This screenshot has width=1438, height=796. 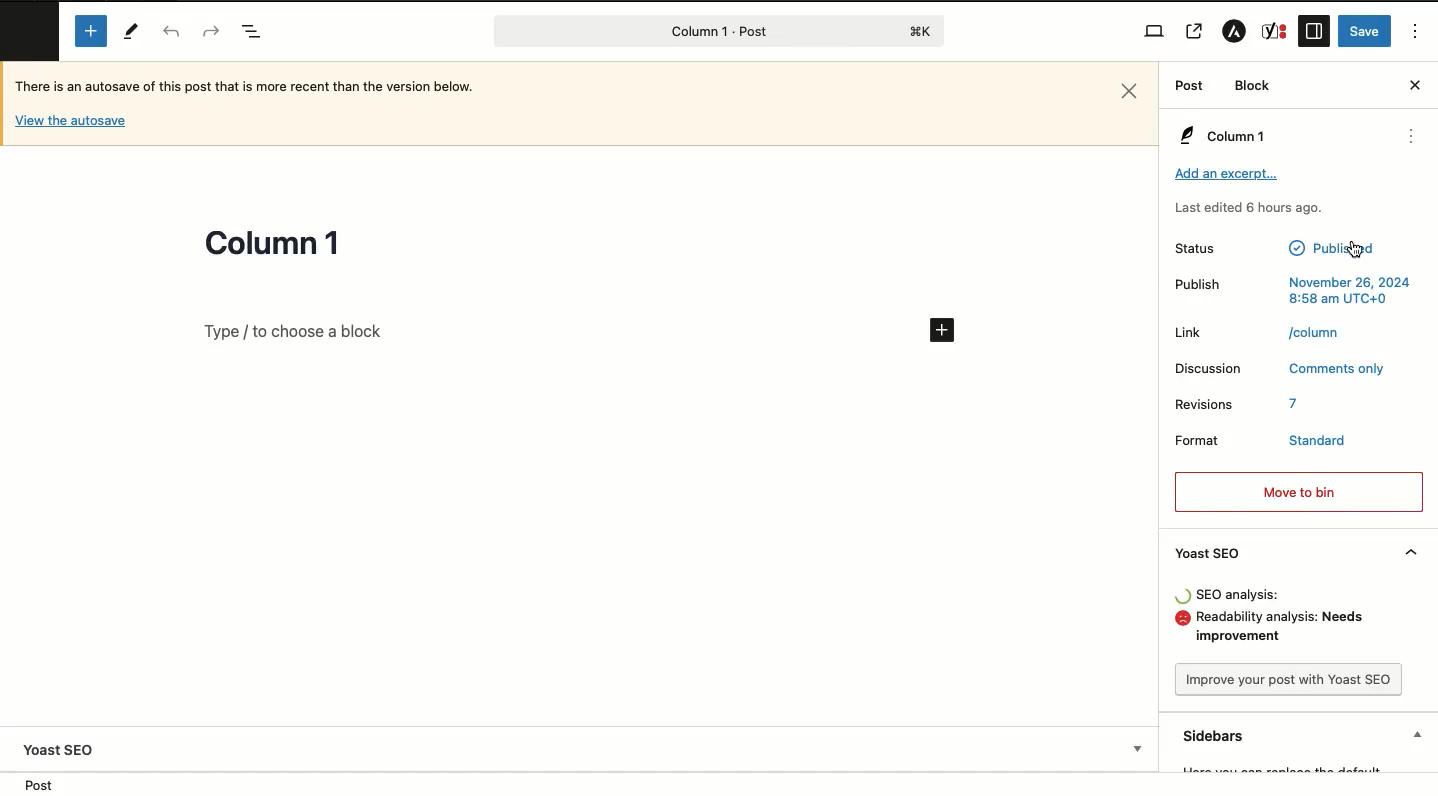 I want to click on Format, so click(x=1194, y=440).